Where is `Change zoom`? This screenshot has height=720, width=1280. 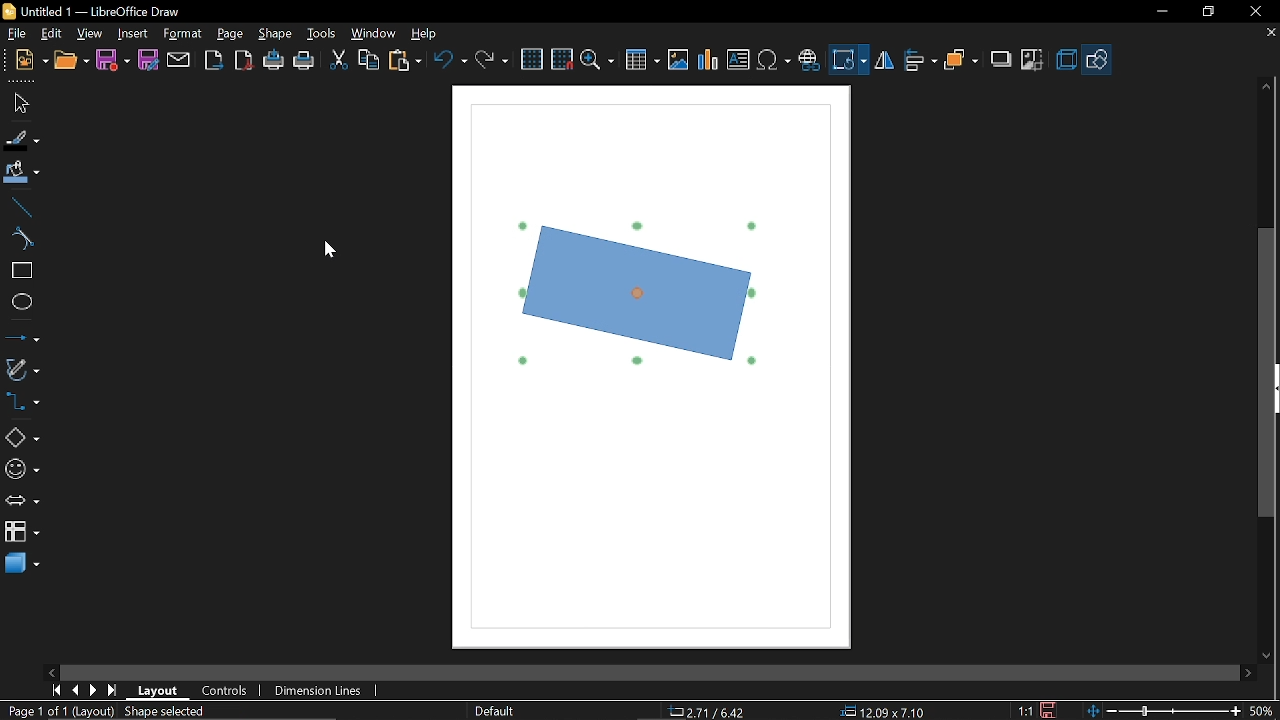
Change zoom is located at coordinates (1161, 710).